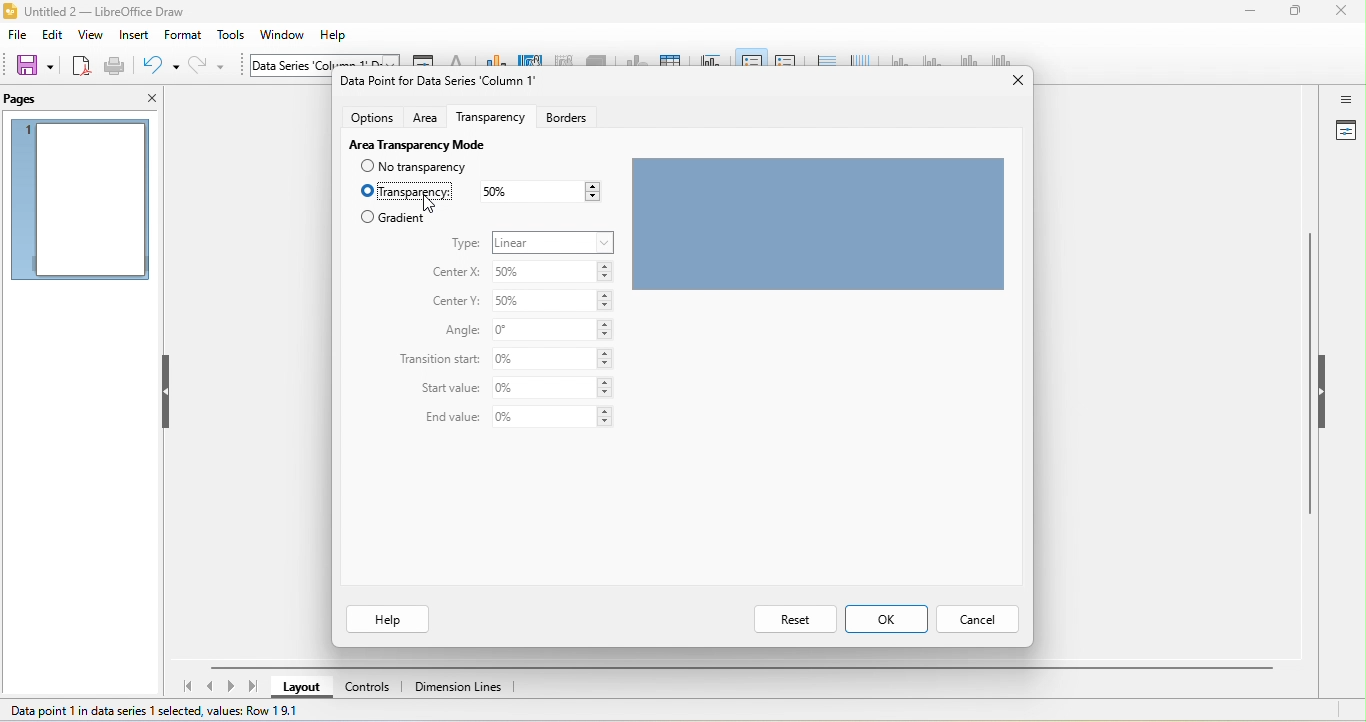 This screenshot has width=1366, height=722. Describe the element at coordinates (564, 58) in the screenshot. I see `format chat wall` at that location.